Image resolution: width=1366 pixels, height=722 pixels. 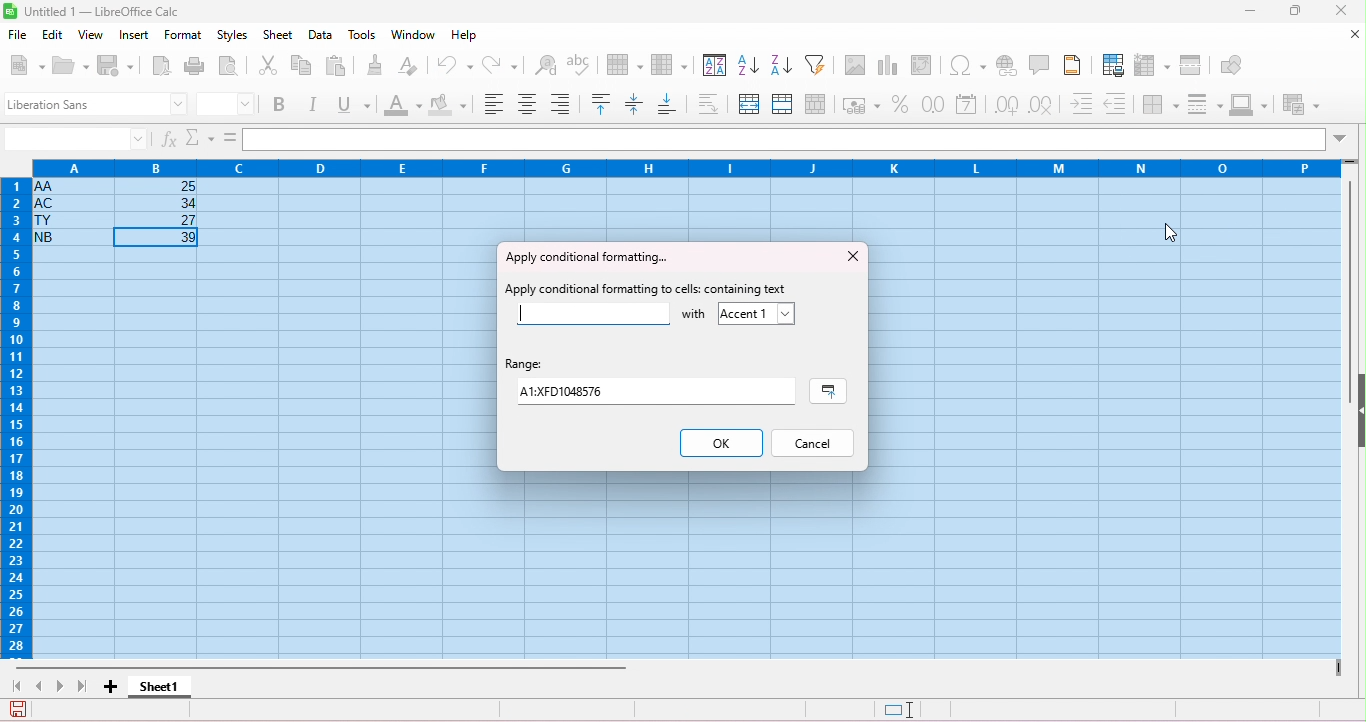 I want to click on close, so click(x=1354, y=35).